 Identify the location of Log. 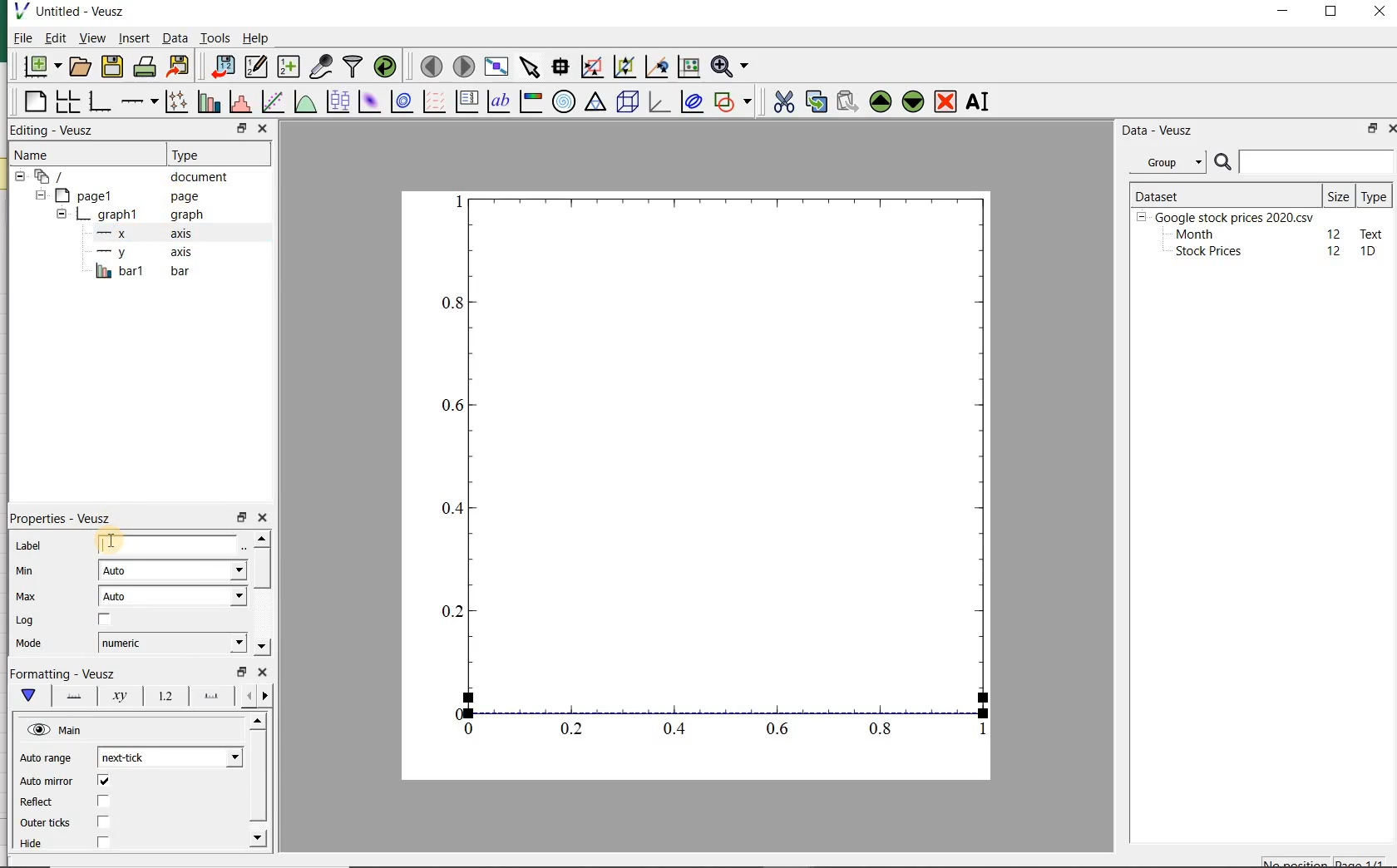
(24, 620).